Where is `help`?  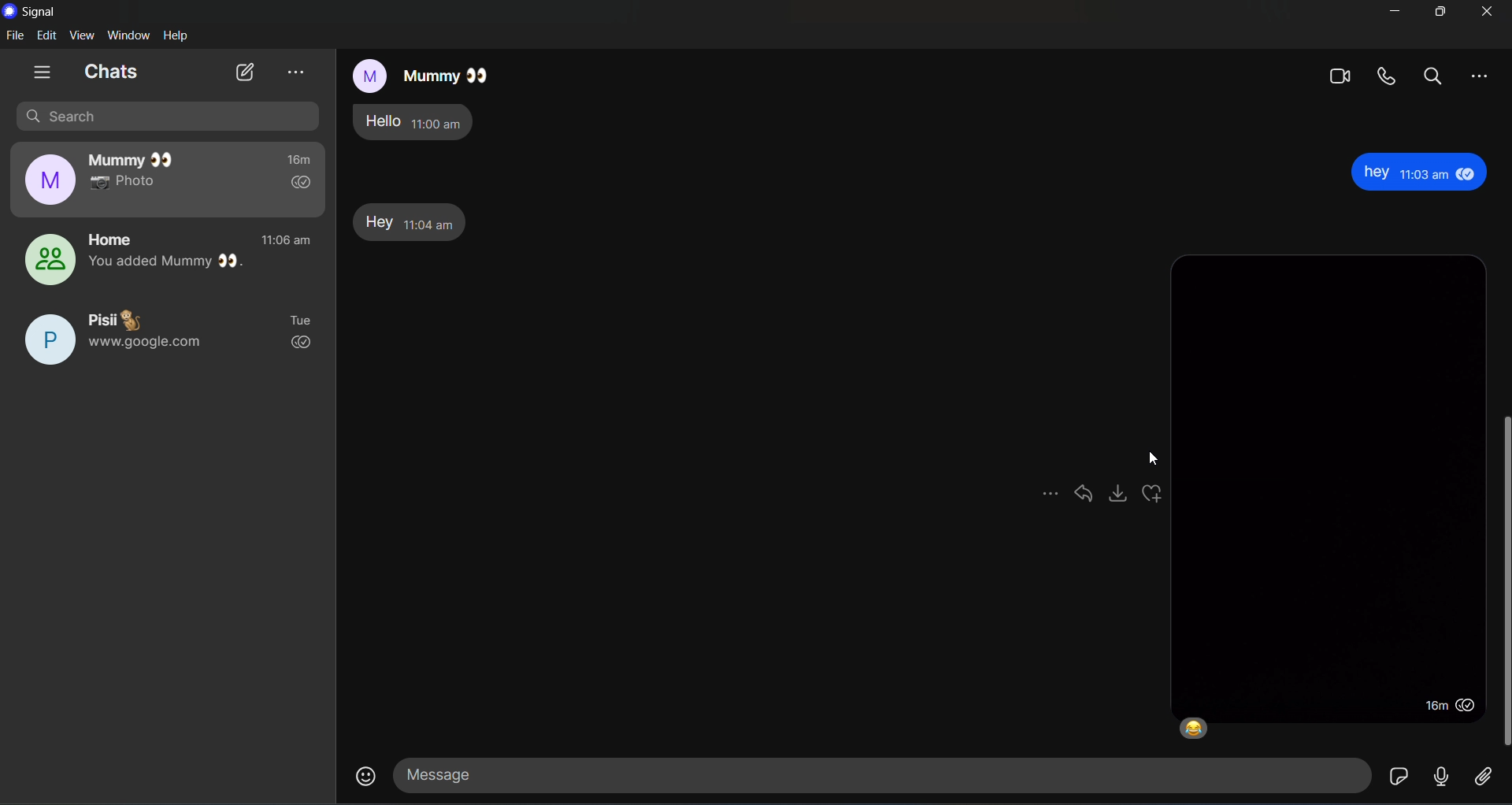 help is located at coordinates (178, 36).